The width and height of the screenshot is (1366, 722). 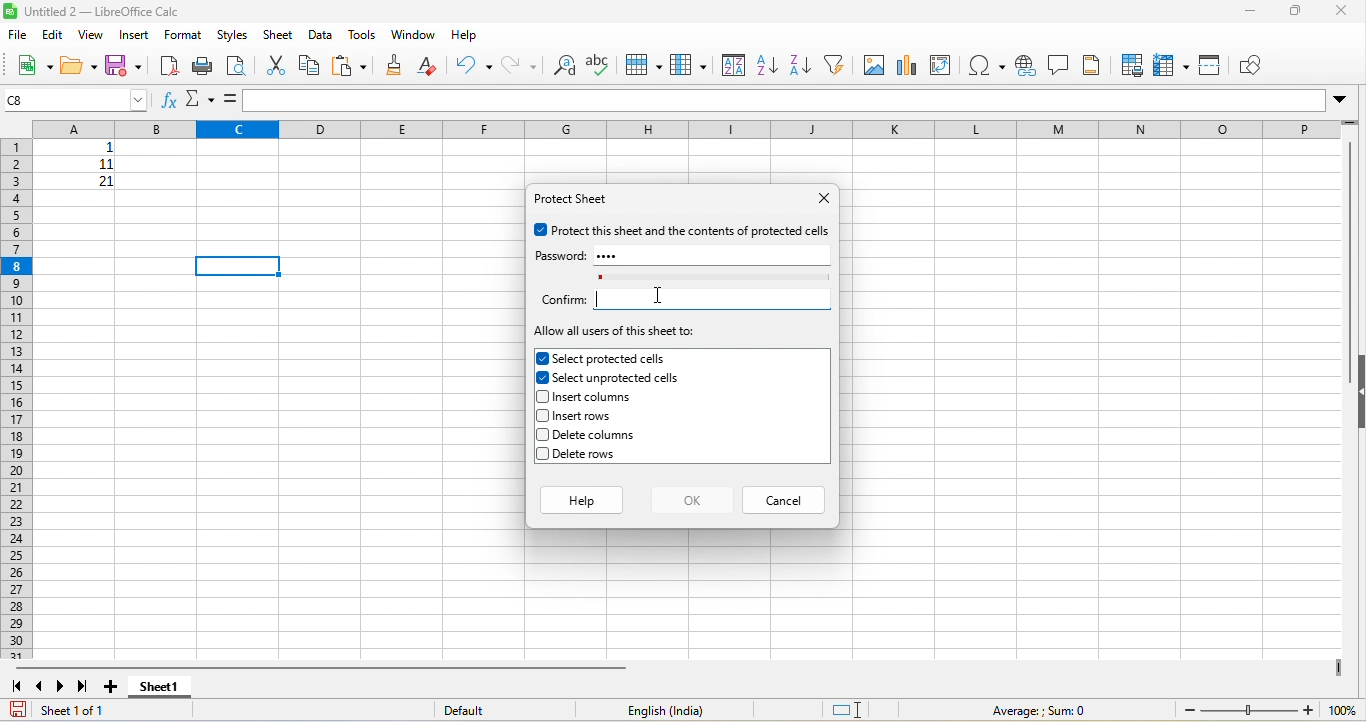 I want to click on filter, so click(x=833, y=64).